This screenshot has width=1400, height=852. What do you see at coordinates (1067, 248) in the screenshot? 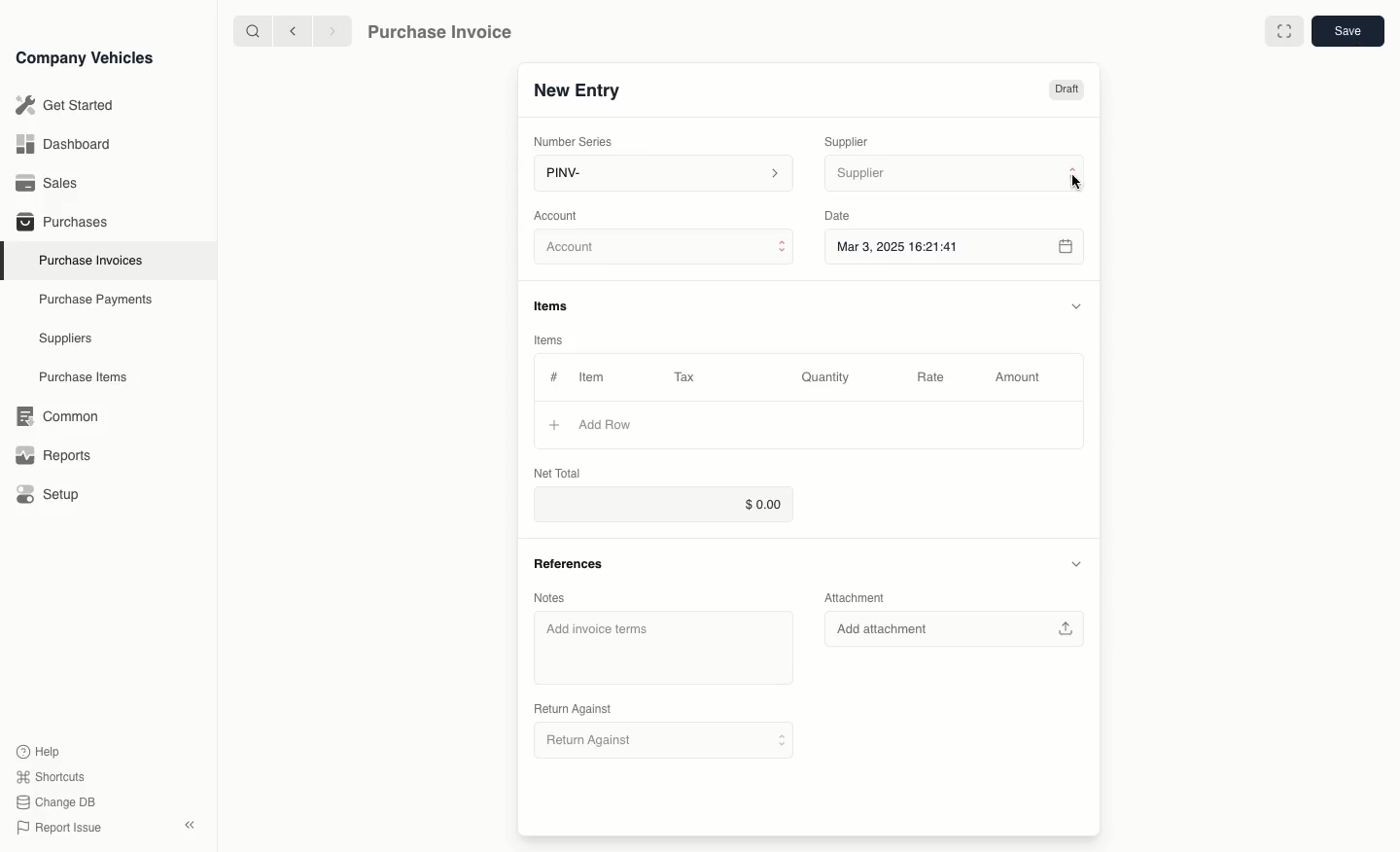
I see `calender` at bounding box center [1067, 248].